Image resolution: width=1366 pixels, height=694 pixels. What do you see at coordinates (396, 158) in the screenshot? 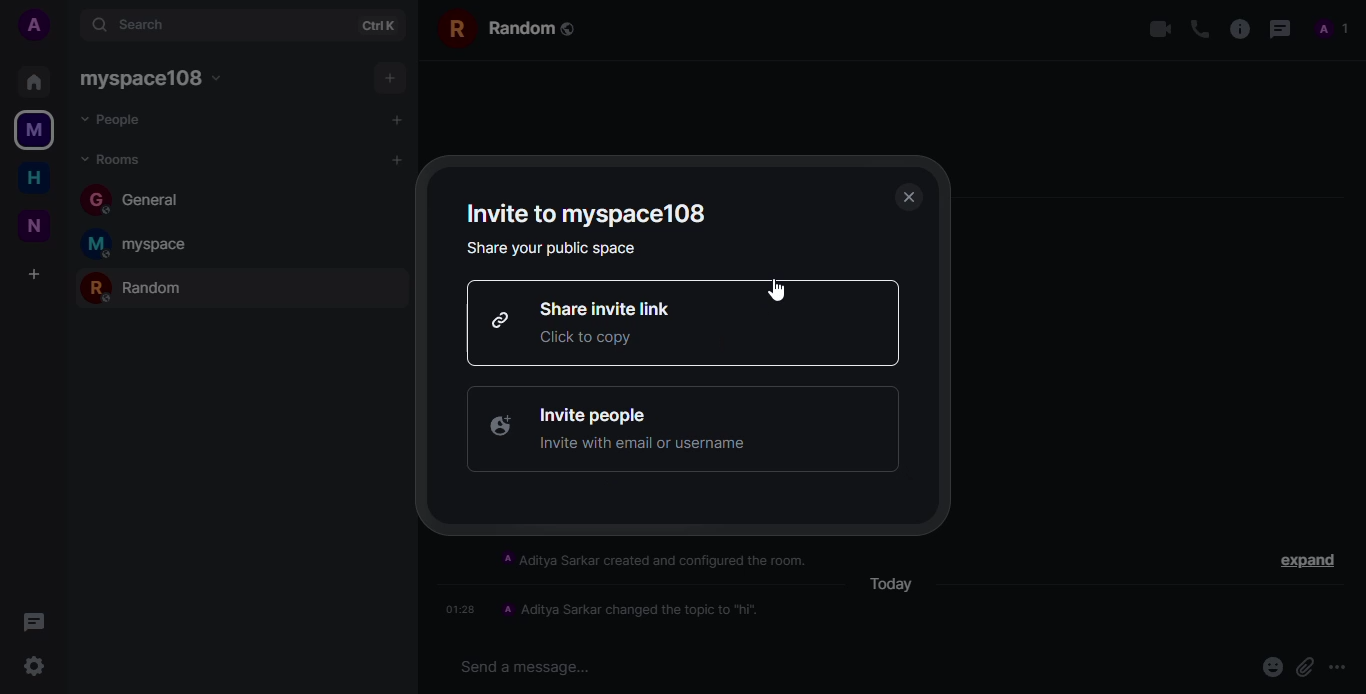
I see `add` at bounding box center [396, 158].